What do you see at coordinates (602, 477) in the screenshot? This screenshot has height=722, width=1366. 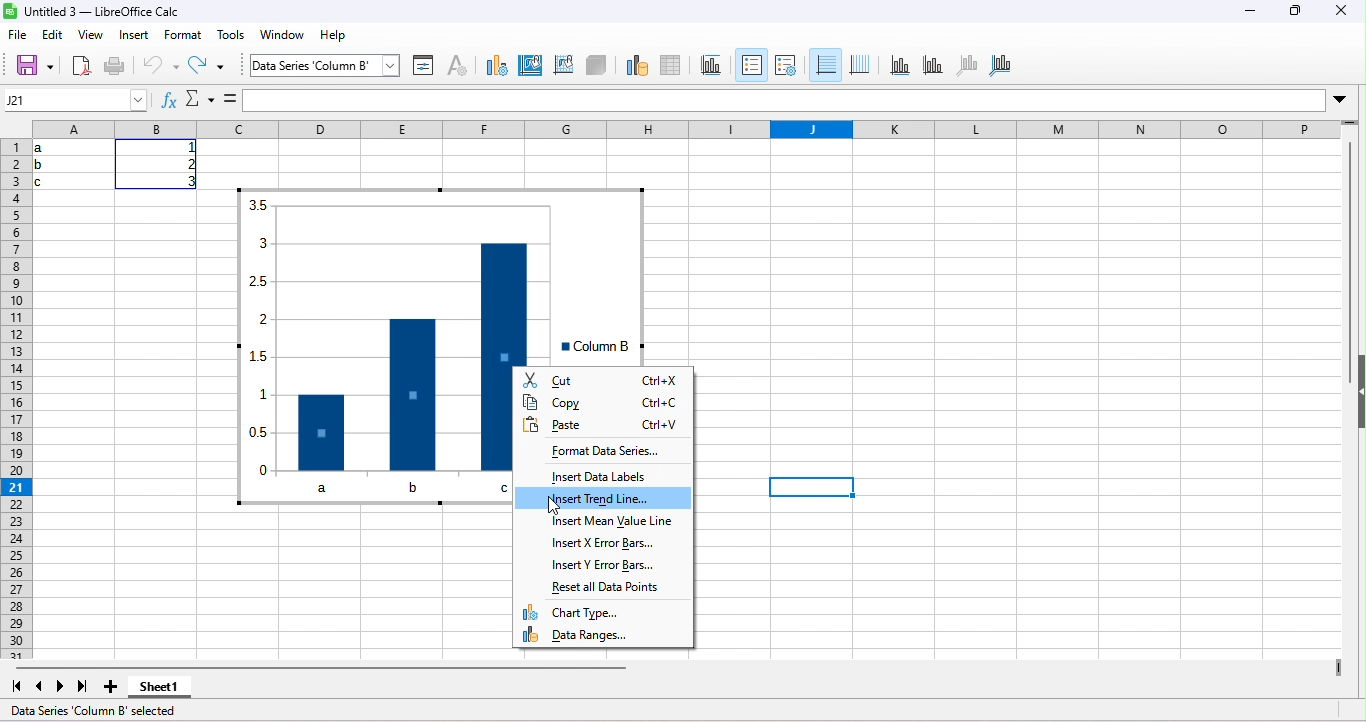 I see `insert data labels` at bounding box center [602, 477].